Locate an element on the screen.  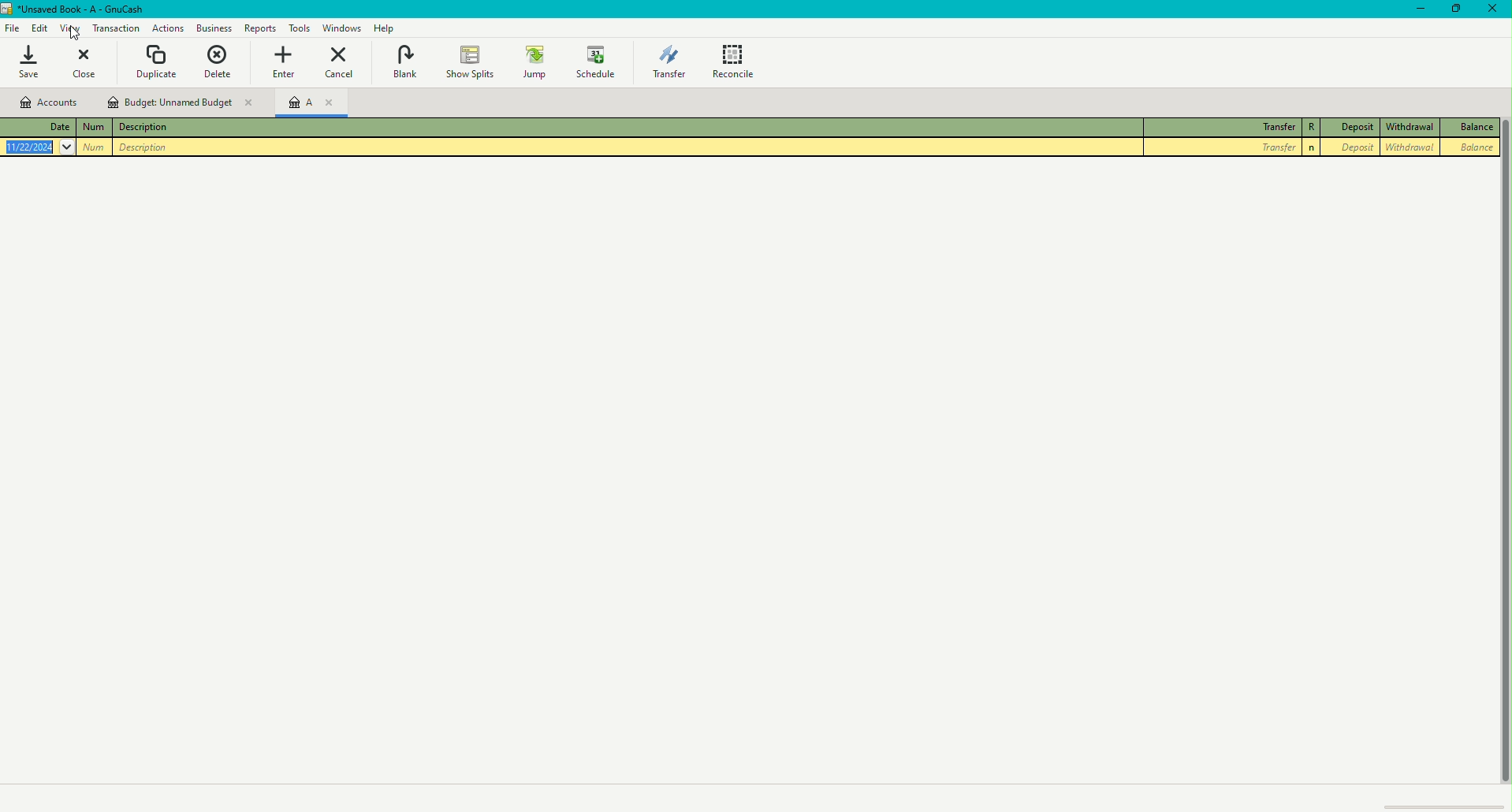
Balance is located at coordinates (1471, 129).